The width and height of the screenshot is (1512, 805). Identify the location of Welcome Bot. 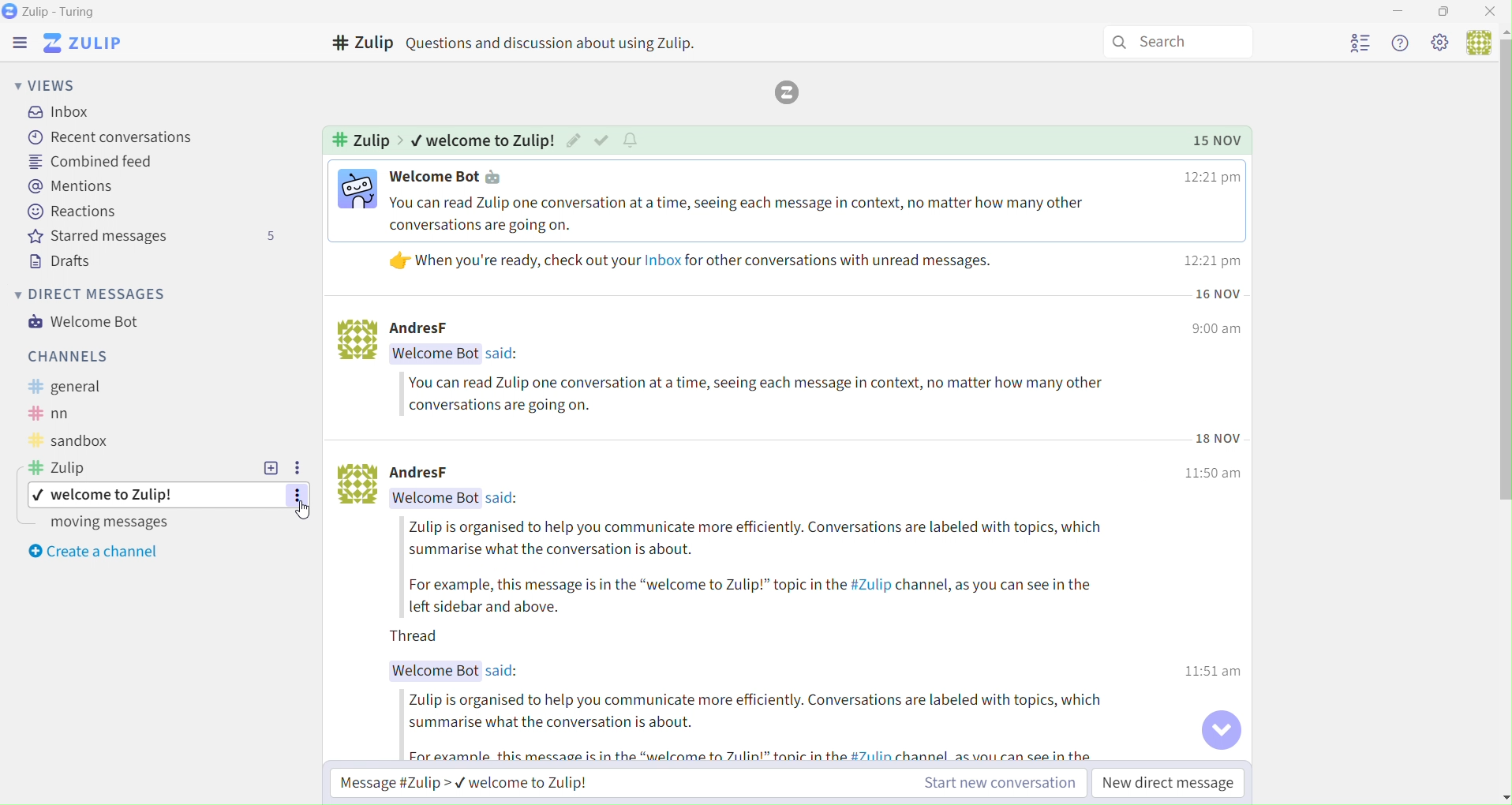
(88, 321).